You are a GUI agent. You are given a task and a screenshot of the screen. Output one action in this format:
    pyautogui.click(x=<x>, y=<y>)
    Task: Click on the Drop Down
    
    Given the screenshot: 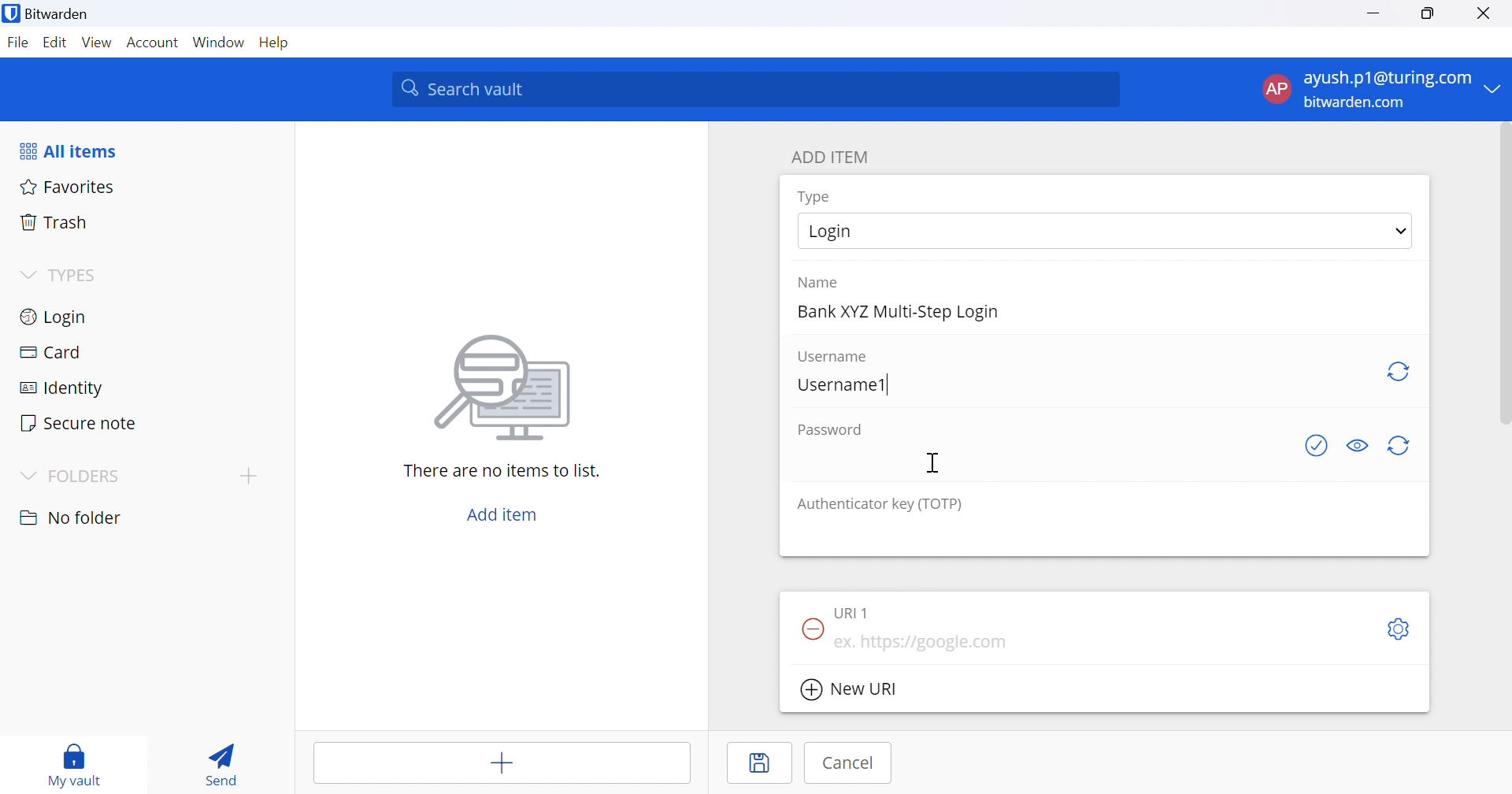 What is the action you would take?
    pyautogui.click(x=1398, y=232)
    